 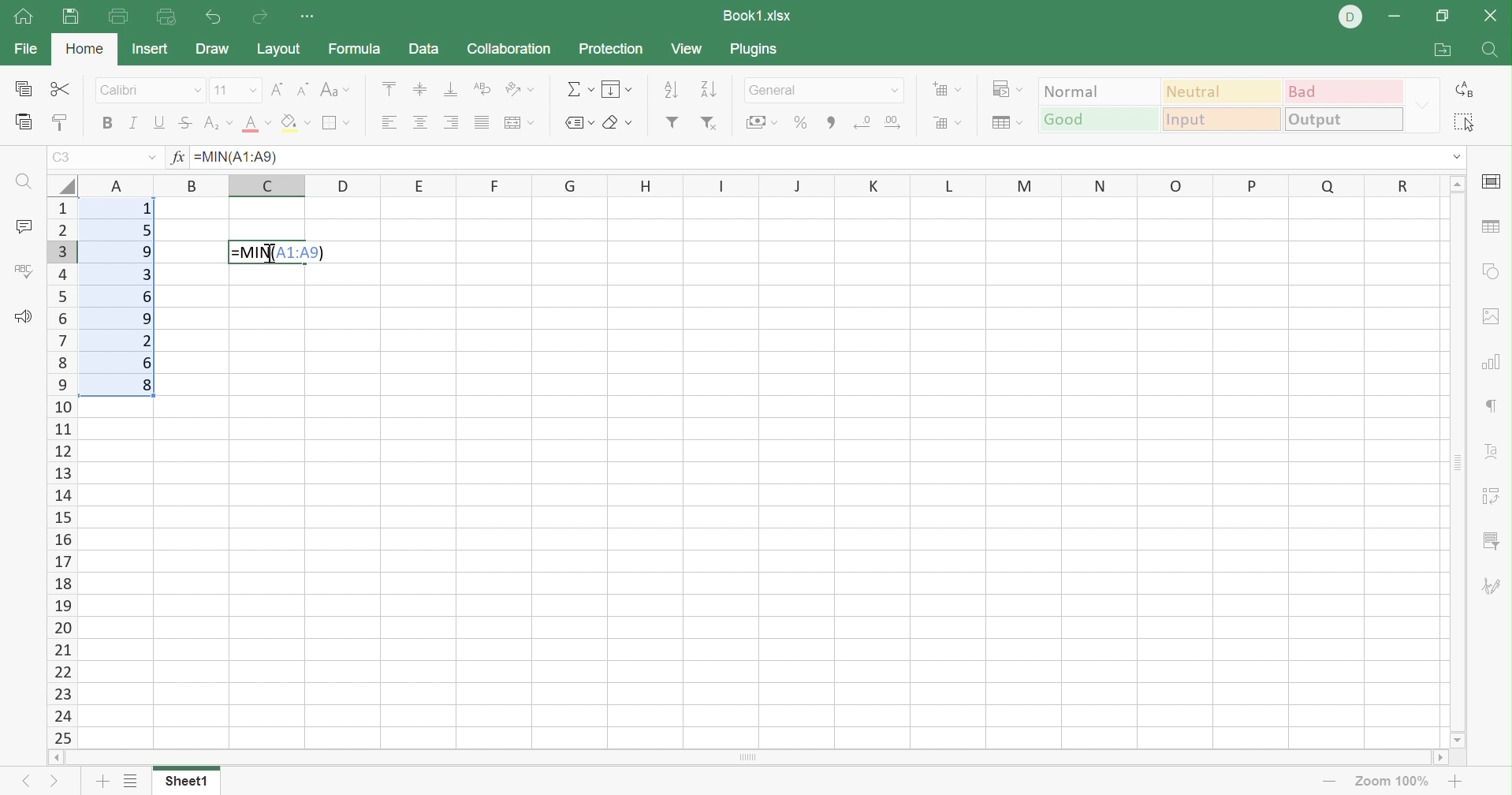 I want to click on Drop Down, so click(x=151, y=159).